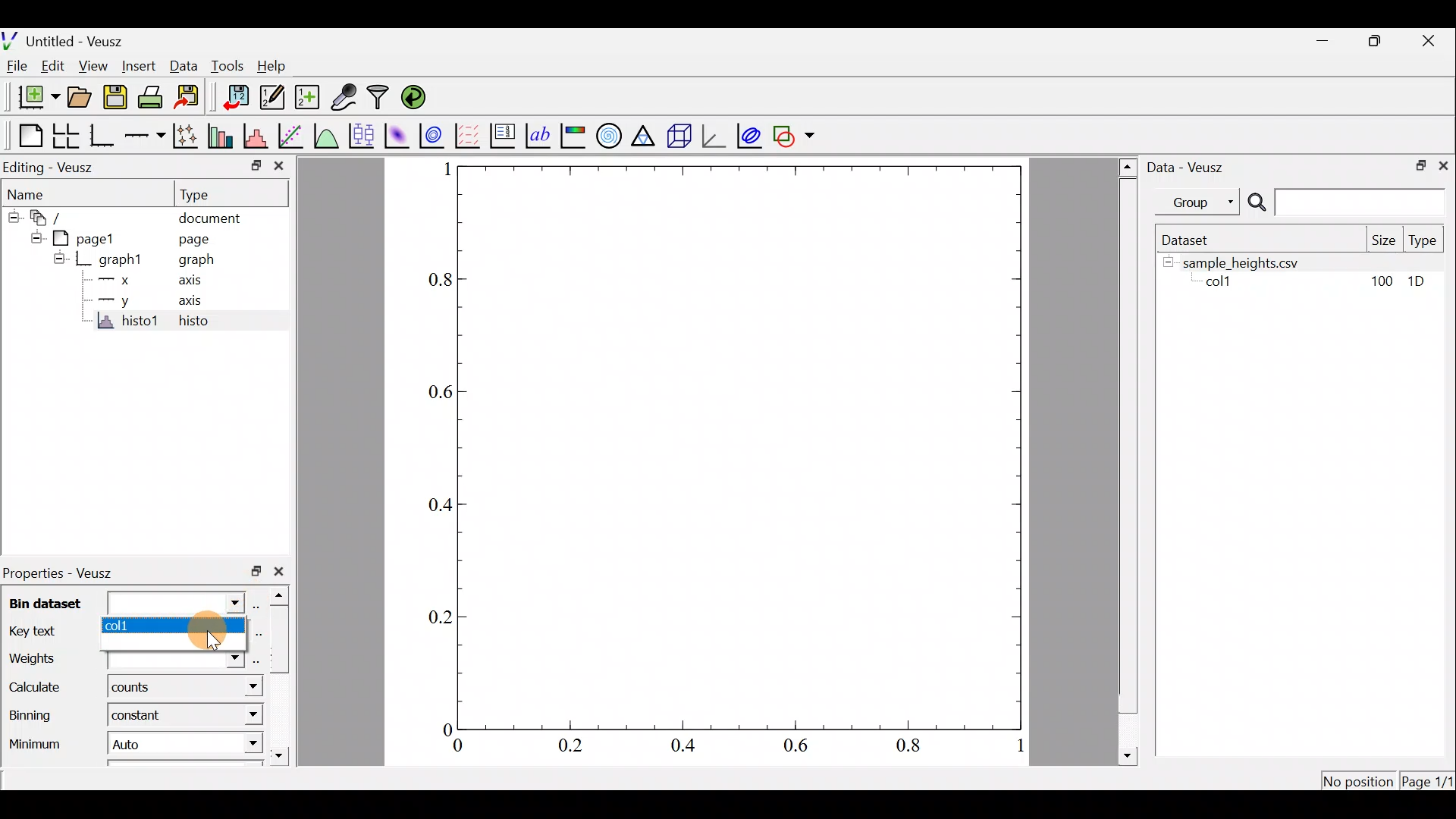  I want to click on plot a 2d dataset as an image, so click(397, 134).